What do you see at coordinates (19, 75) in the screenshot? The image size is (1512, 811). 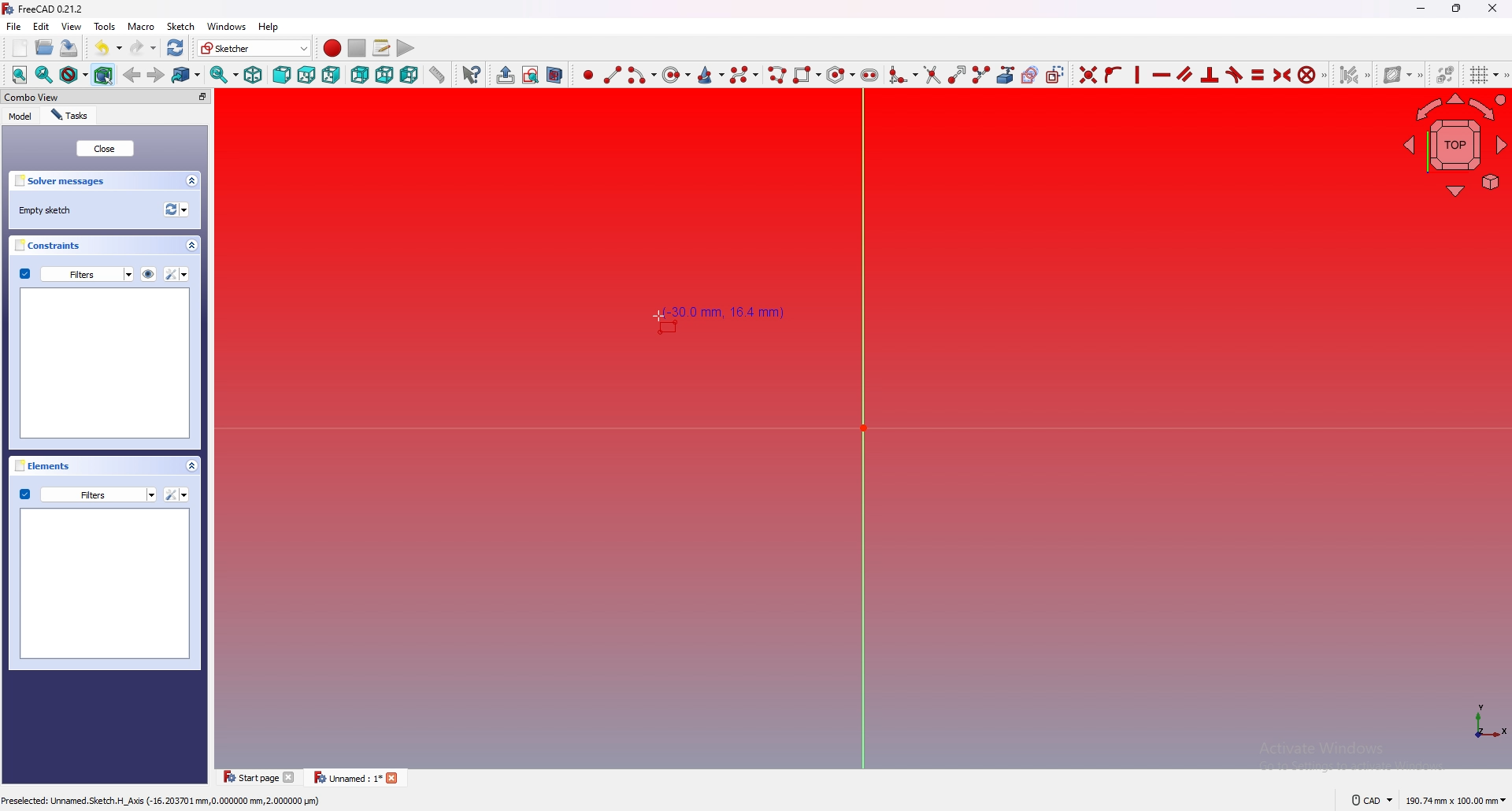 I see `fit all` at bounding box center [19, 75].